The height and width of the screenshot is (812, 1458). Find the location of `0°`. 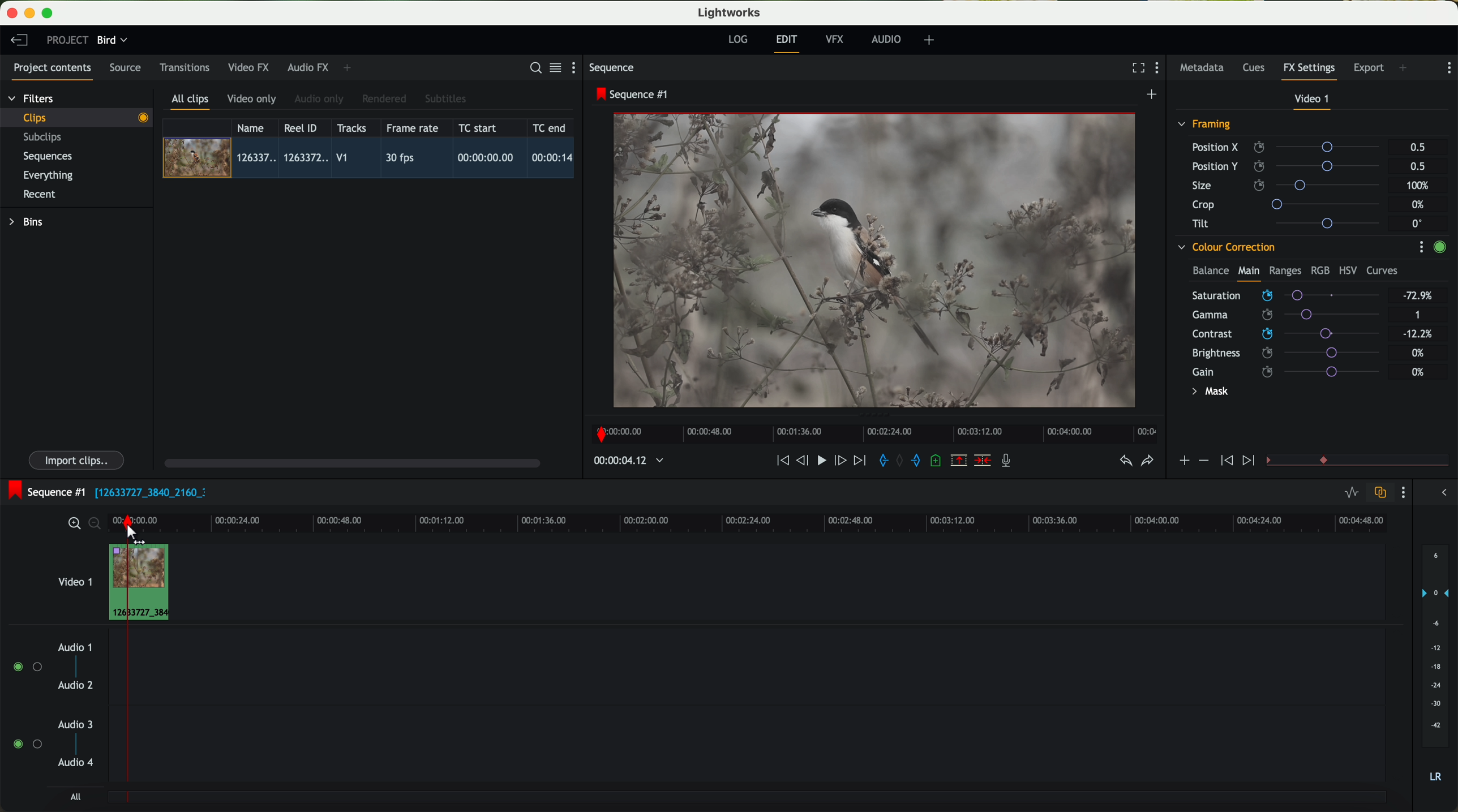

0° is located at coordinates (1418, 223).